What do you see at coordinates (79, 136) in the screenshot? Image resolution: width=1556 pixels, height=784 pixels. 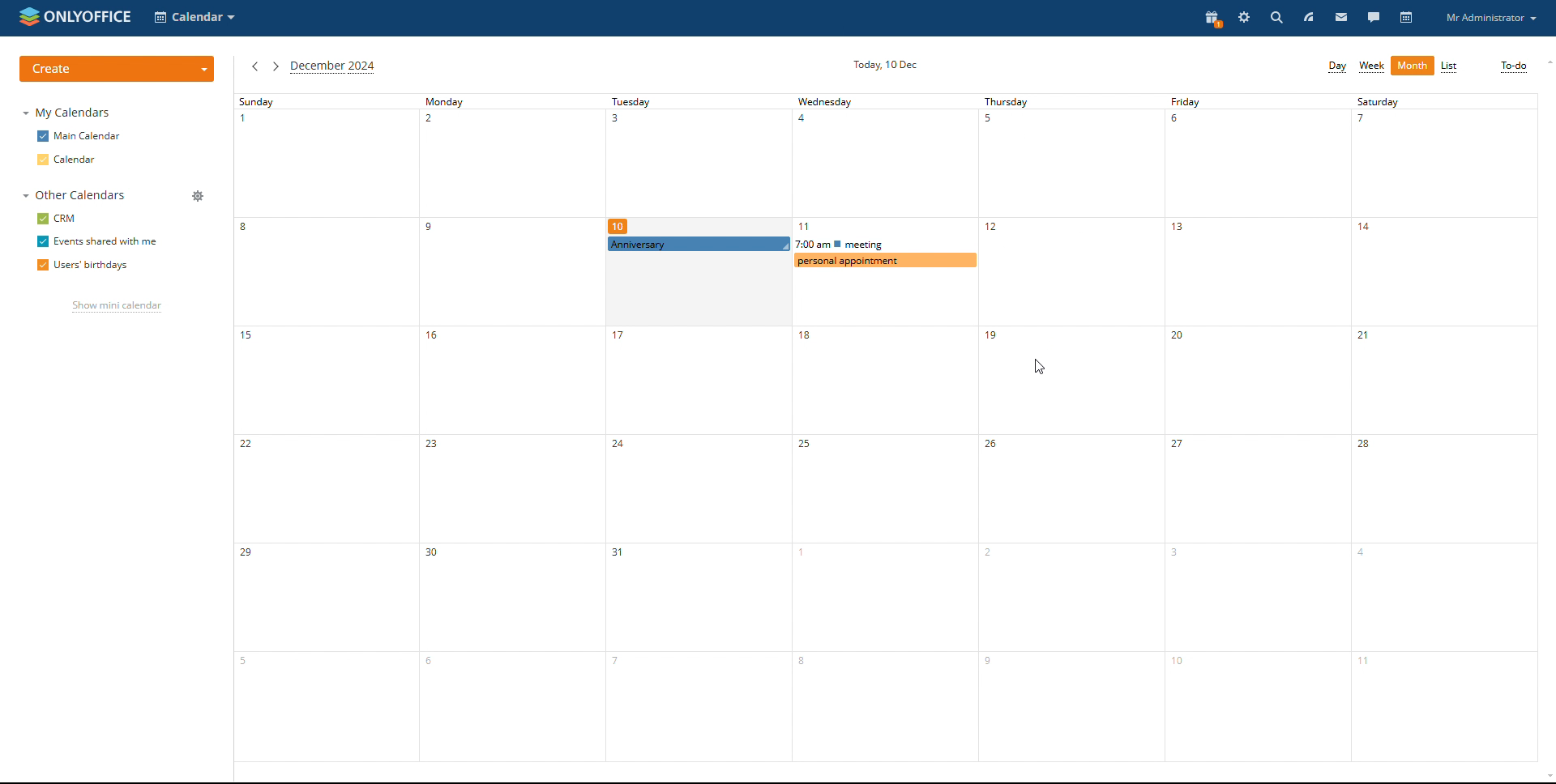 I see `main calendar` at bounding box center [79, 136].